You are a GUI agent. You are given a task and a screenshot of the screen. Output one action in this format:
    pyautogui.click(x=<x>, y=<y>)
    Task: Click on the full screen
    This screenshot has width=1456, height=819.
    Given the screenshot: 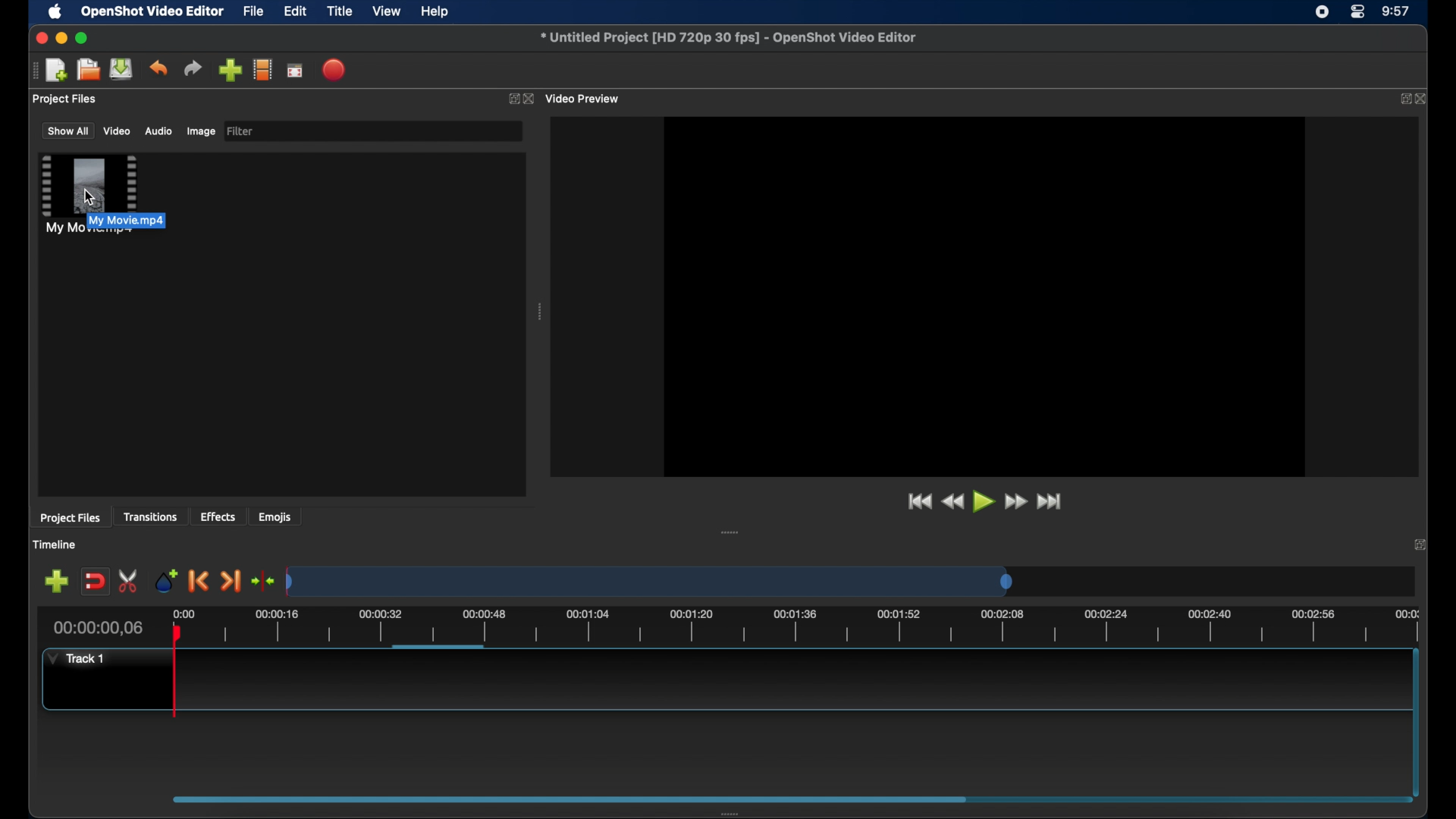 What is the action you would take?
    pyautogui.click(x=296, y=70)
    